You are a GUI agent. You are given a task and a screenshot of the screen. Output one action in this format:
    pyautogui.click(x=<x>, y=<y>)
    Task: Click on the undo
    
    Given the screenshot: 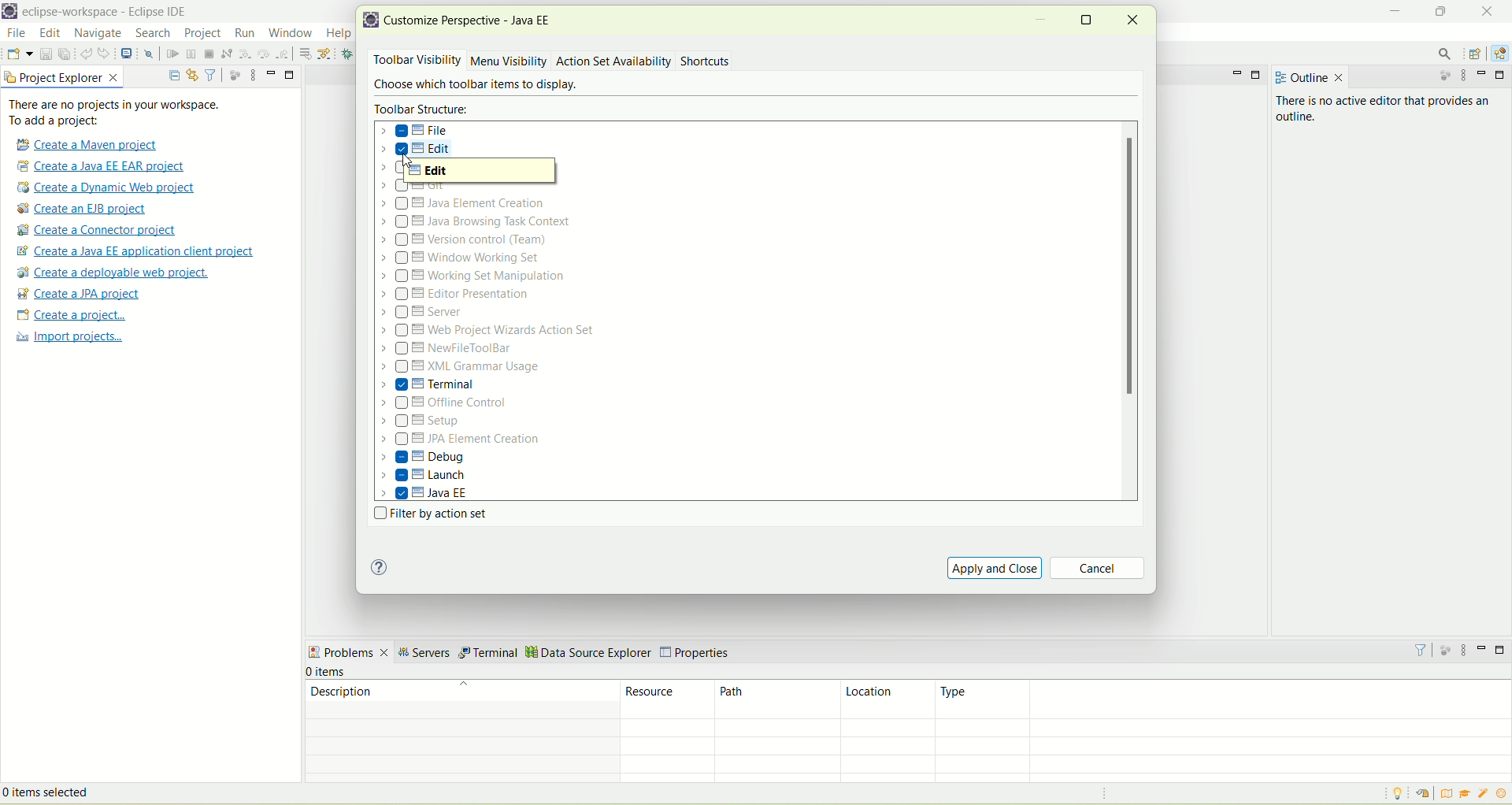 What is the action you would take?
    pyautogui.click(x=86, y=56)
    